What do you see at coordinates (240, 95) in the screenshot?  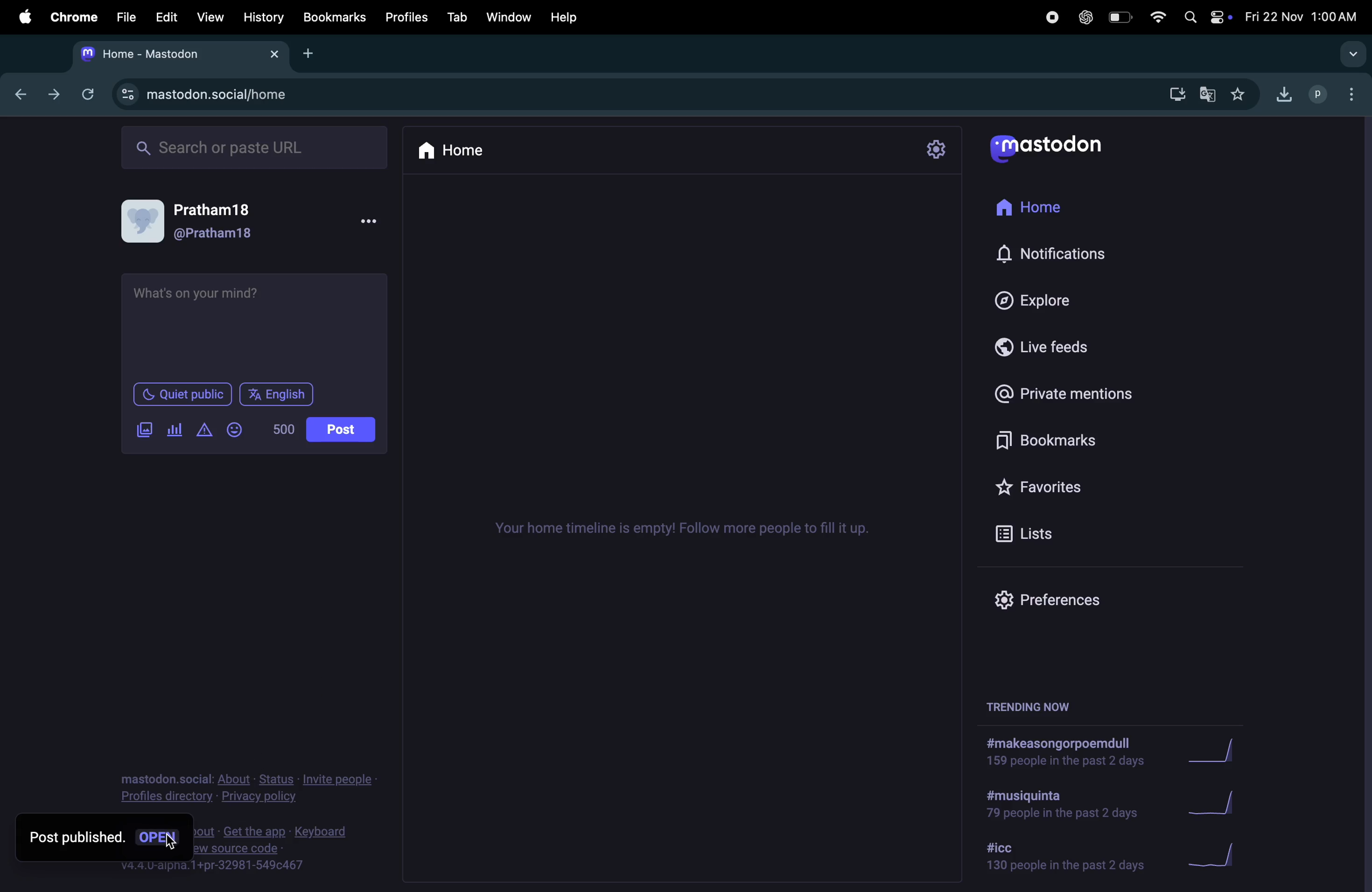 I see `mastodon url` at bounding box center [240, 95].